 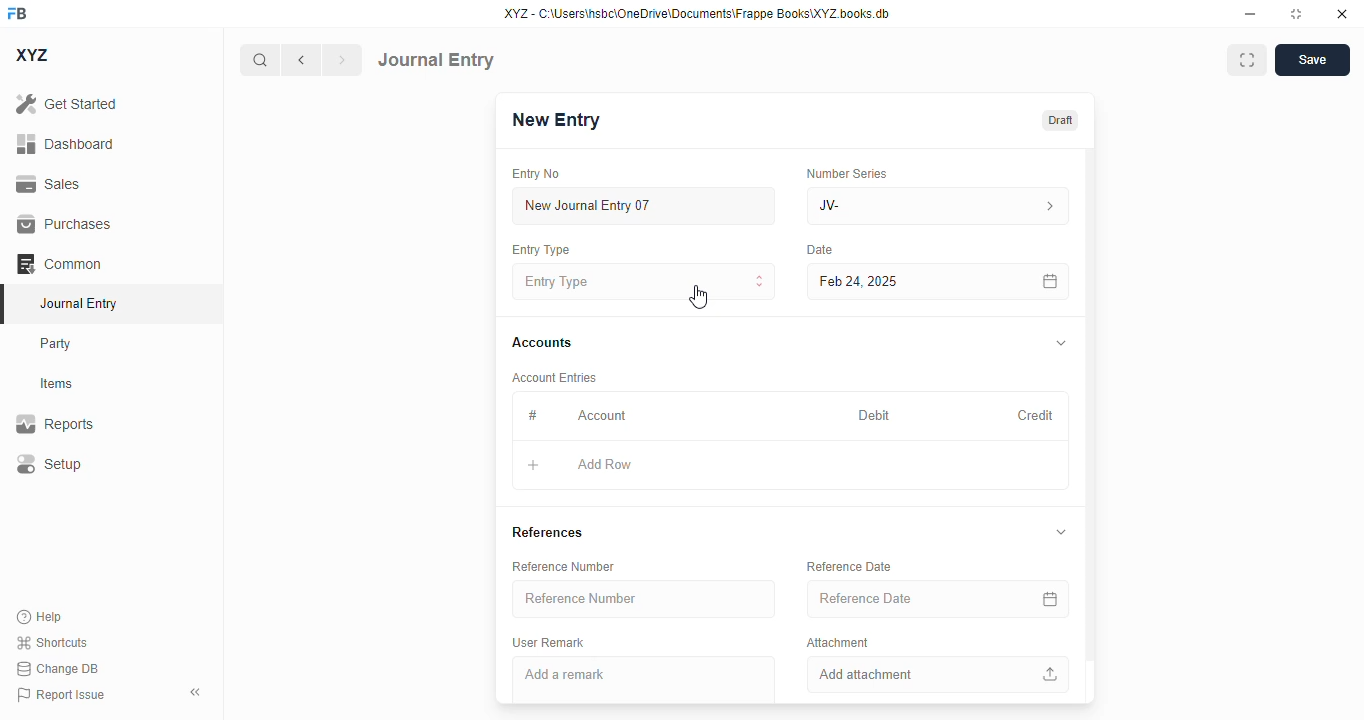 I want to click on number series, so click(x=849, y=173).